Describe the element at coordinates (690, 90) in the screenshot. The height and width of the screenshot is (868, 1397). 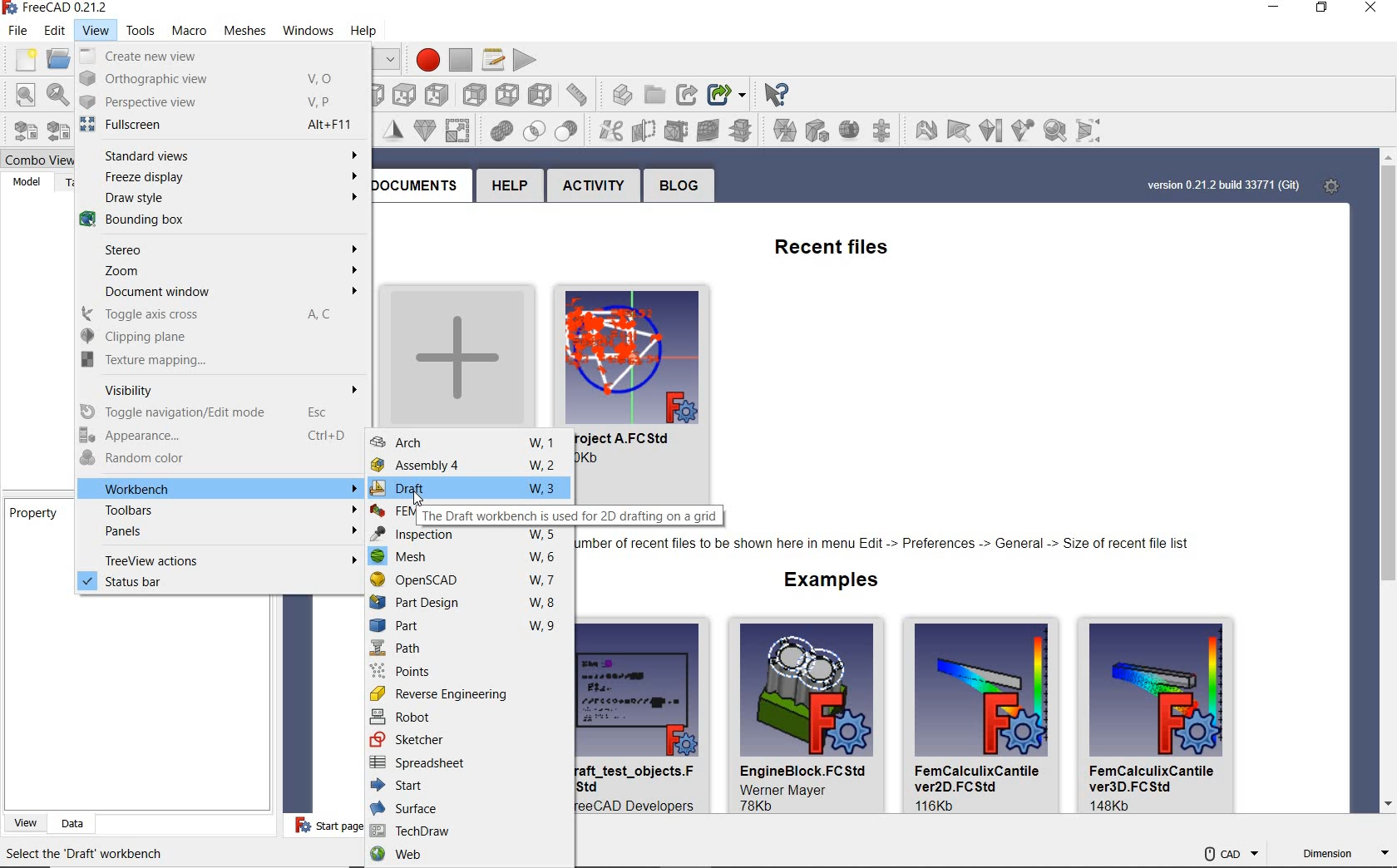
I see `make sub-link` at that location.